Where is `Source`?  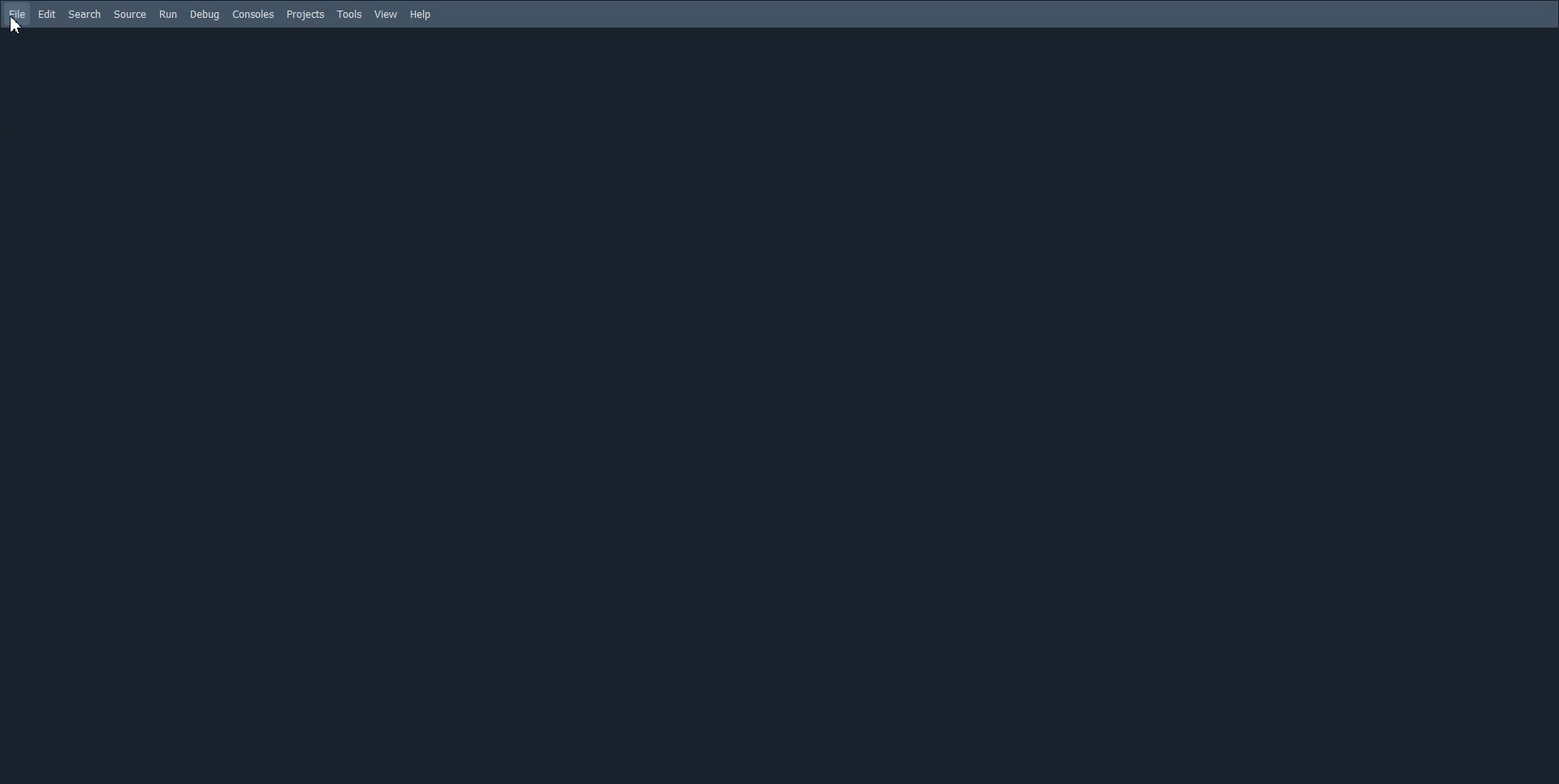 Source is located at coordinates (130, 14).